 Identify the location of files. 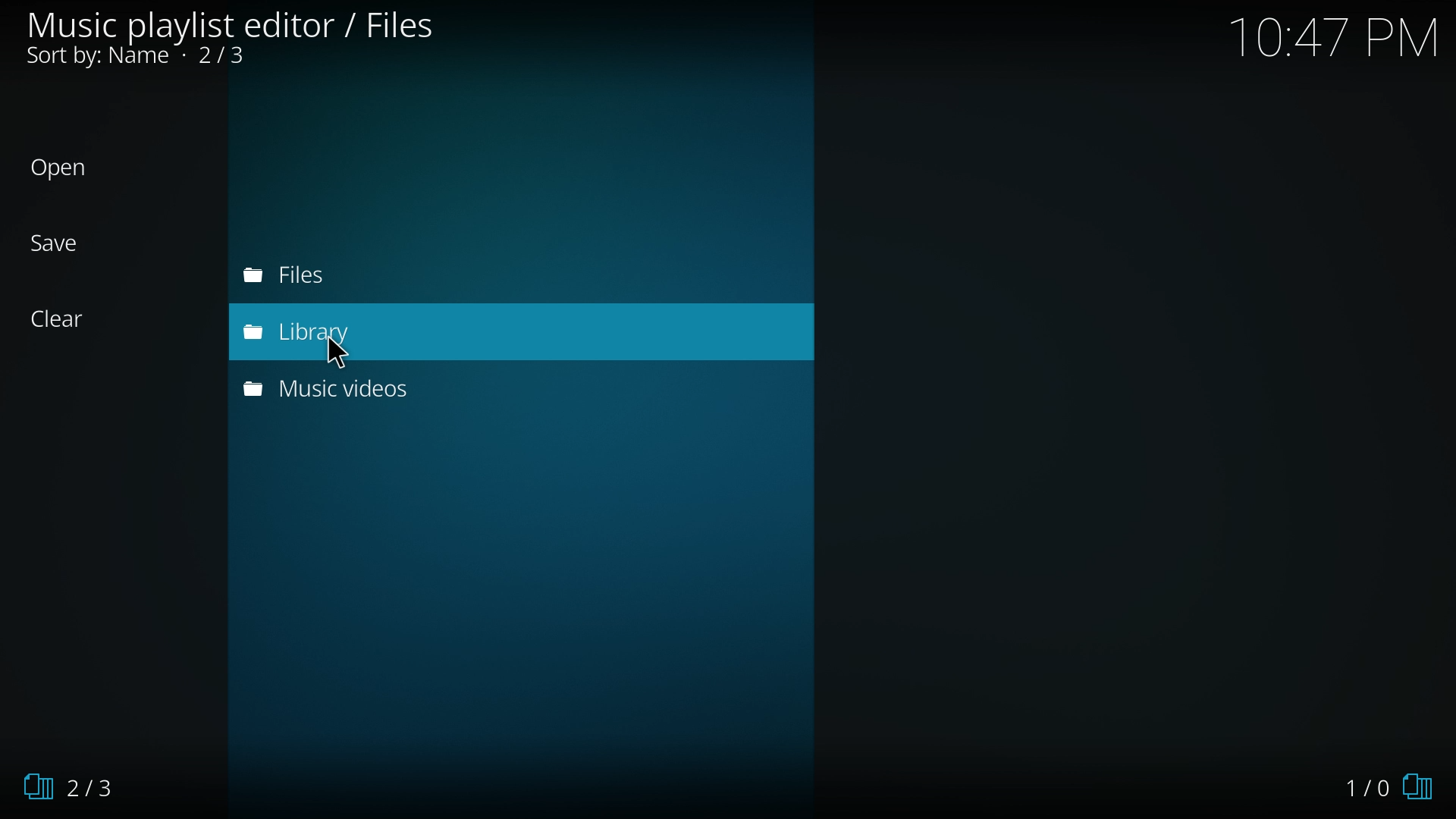
(315, 272).